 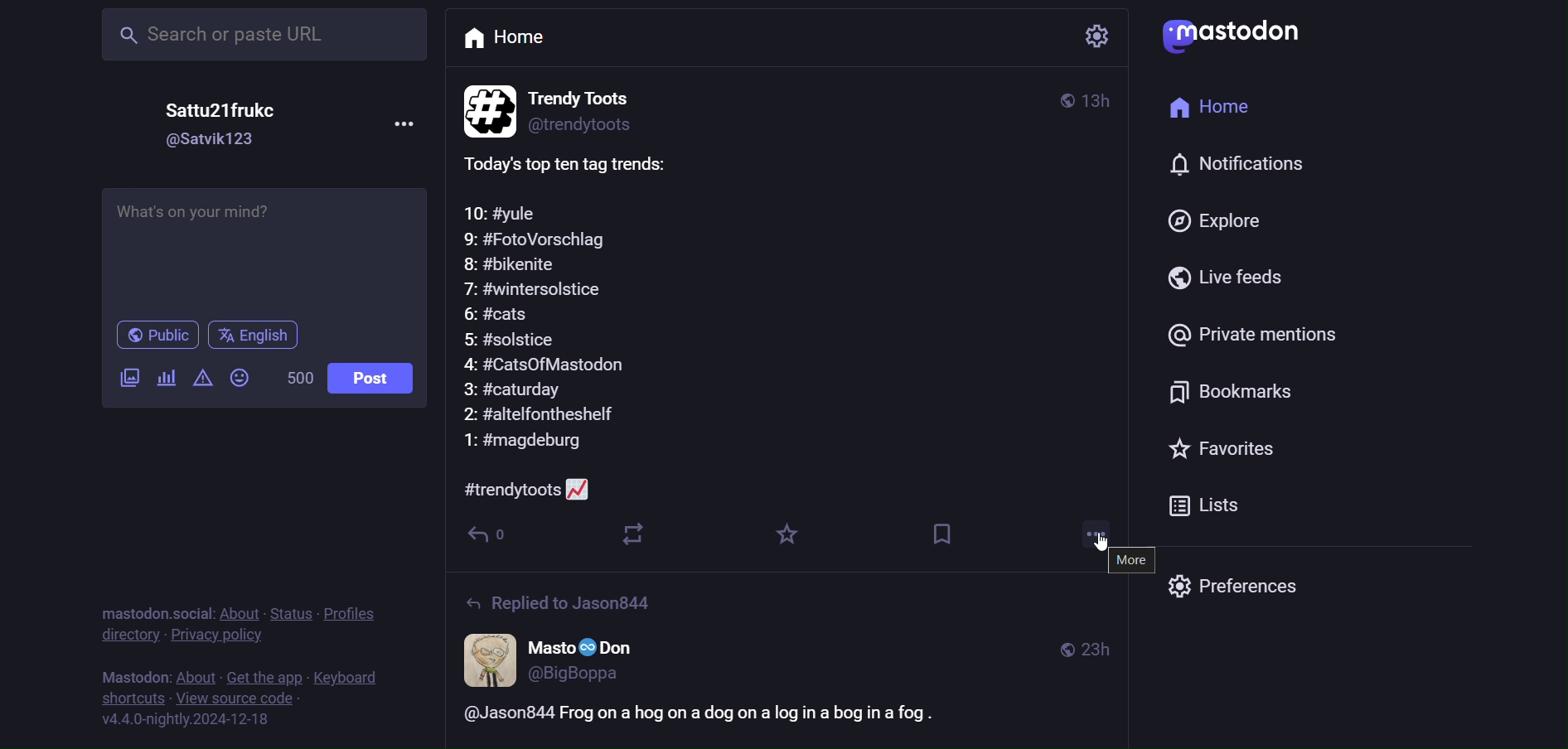 What do you see at coordinates (203, 379) in the screenshot?
I see `content warning` at bounding box center [203, 379].